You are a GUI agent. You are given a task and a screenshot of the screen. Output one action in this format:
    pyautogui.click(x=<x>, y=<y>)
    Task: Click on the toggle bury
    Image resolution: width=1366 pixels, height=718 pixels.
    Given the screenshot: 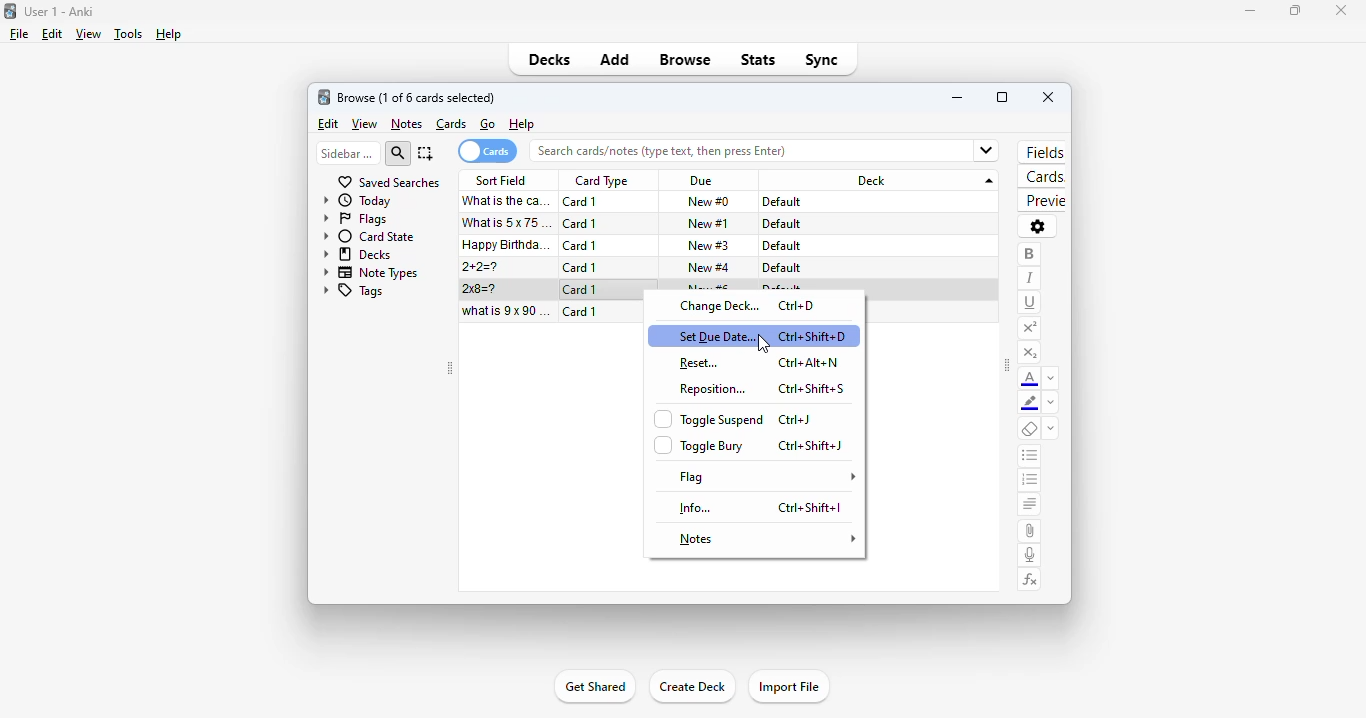 What is the action you would take?
    pyautogui.click(x=698, y=446)
    